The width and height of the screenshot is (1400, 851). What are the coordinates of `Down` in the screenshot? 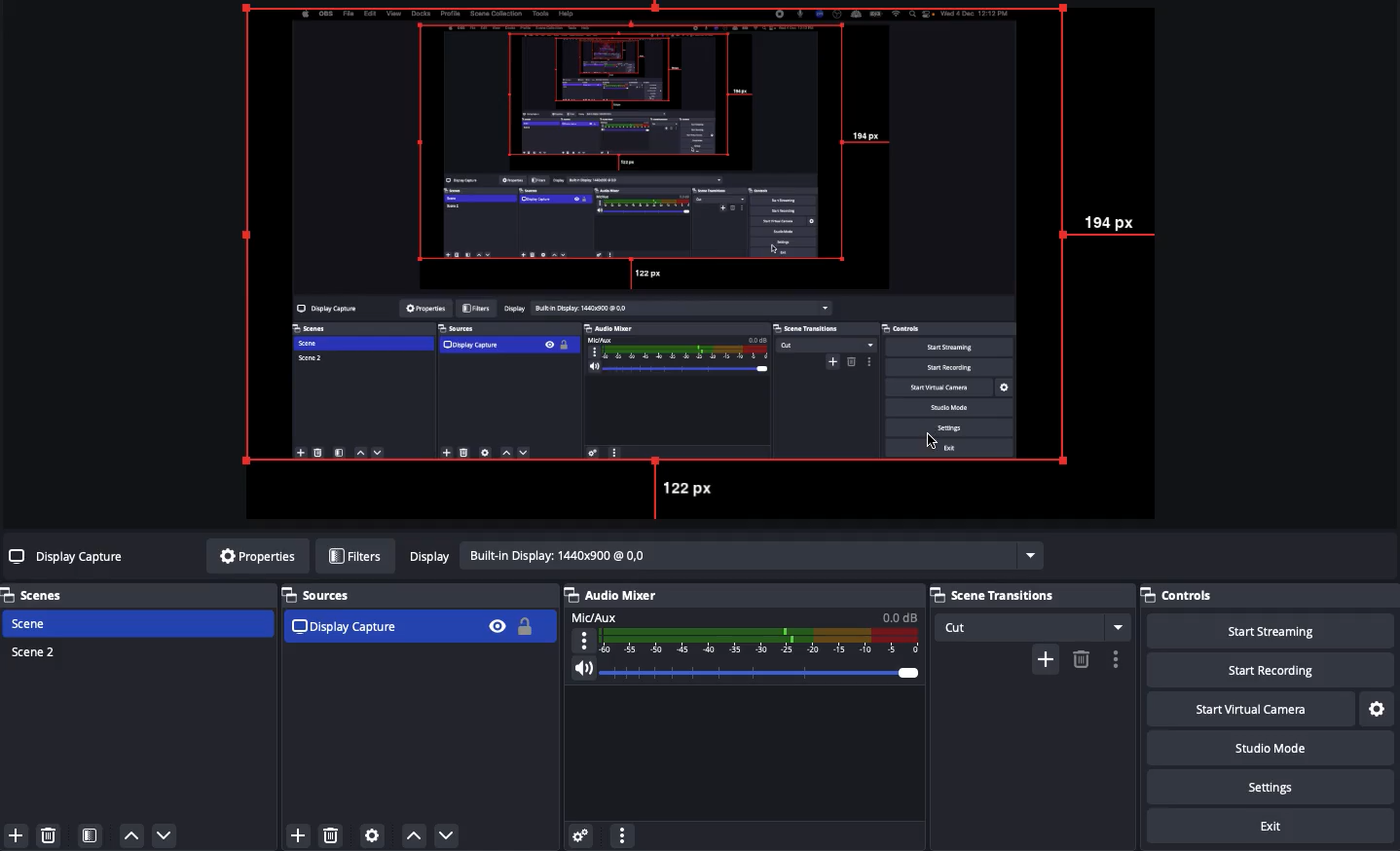 It's located at (448, 832).